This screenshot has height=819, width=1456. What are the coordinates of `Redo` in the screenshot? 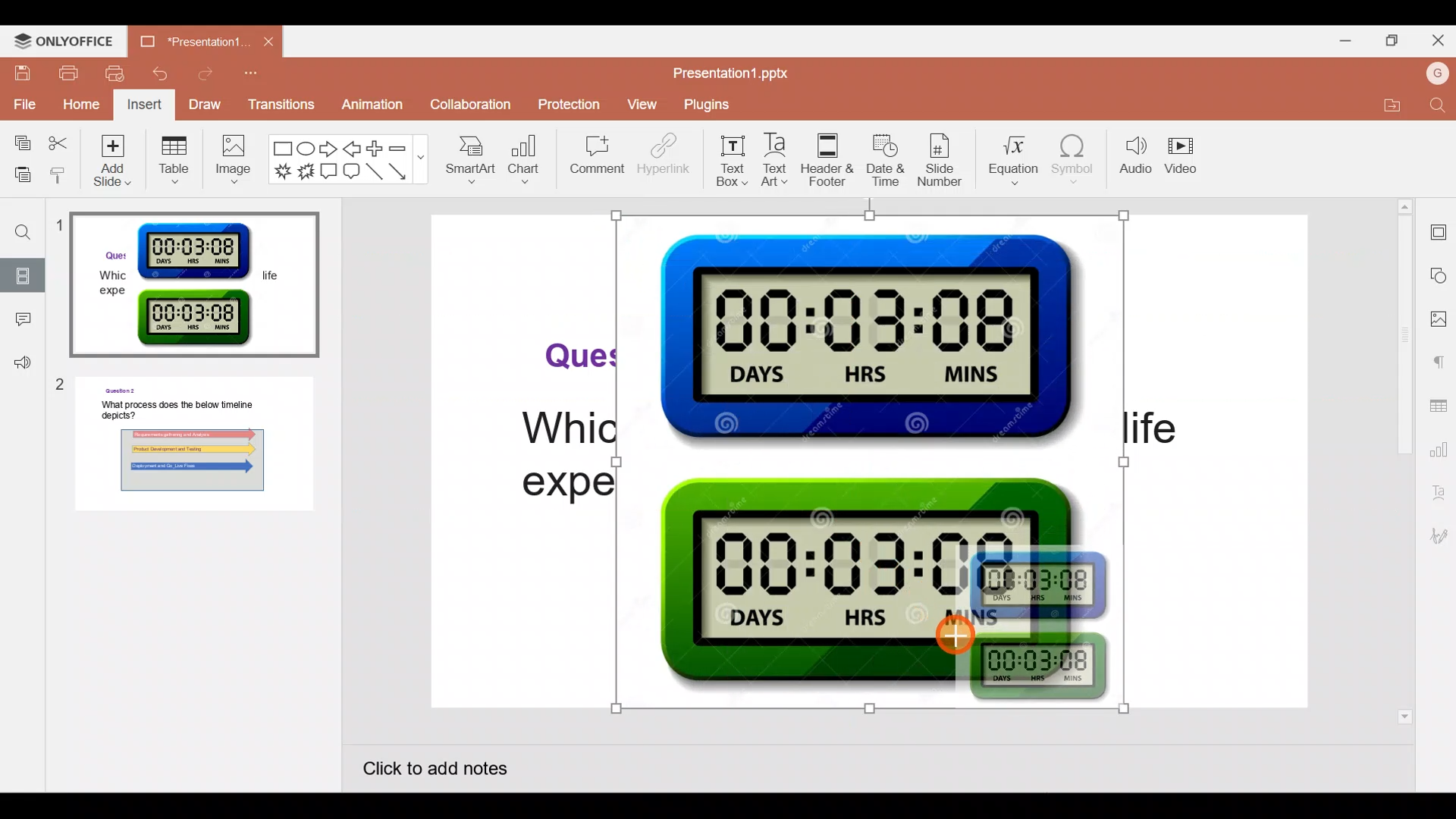 It's located at (215, 71).